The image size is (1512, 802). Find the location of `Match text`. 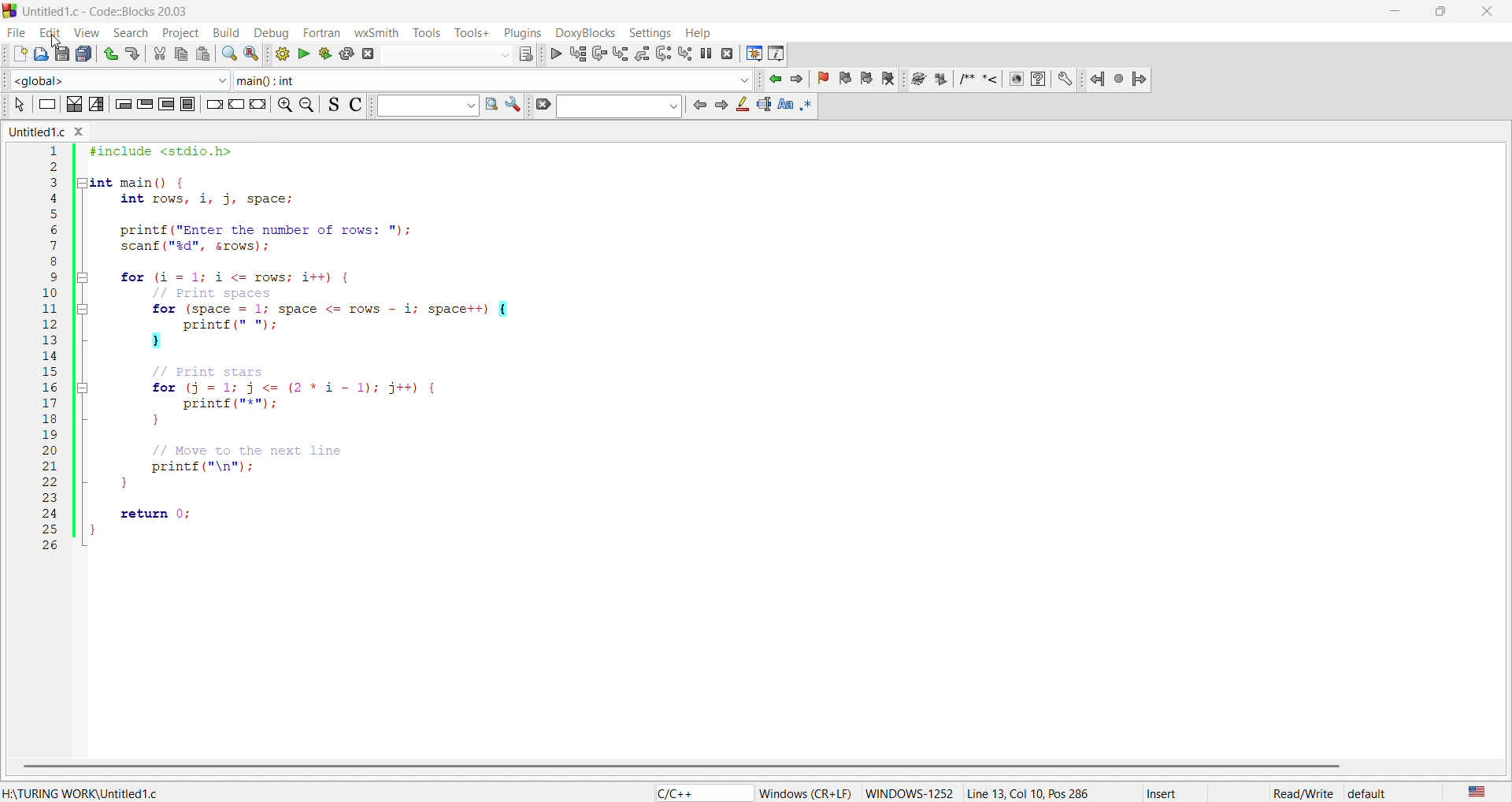

Match text is located at coordinates (785, 106).